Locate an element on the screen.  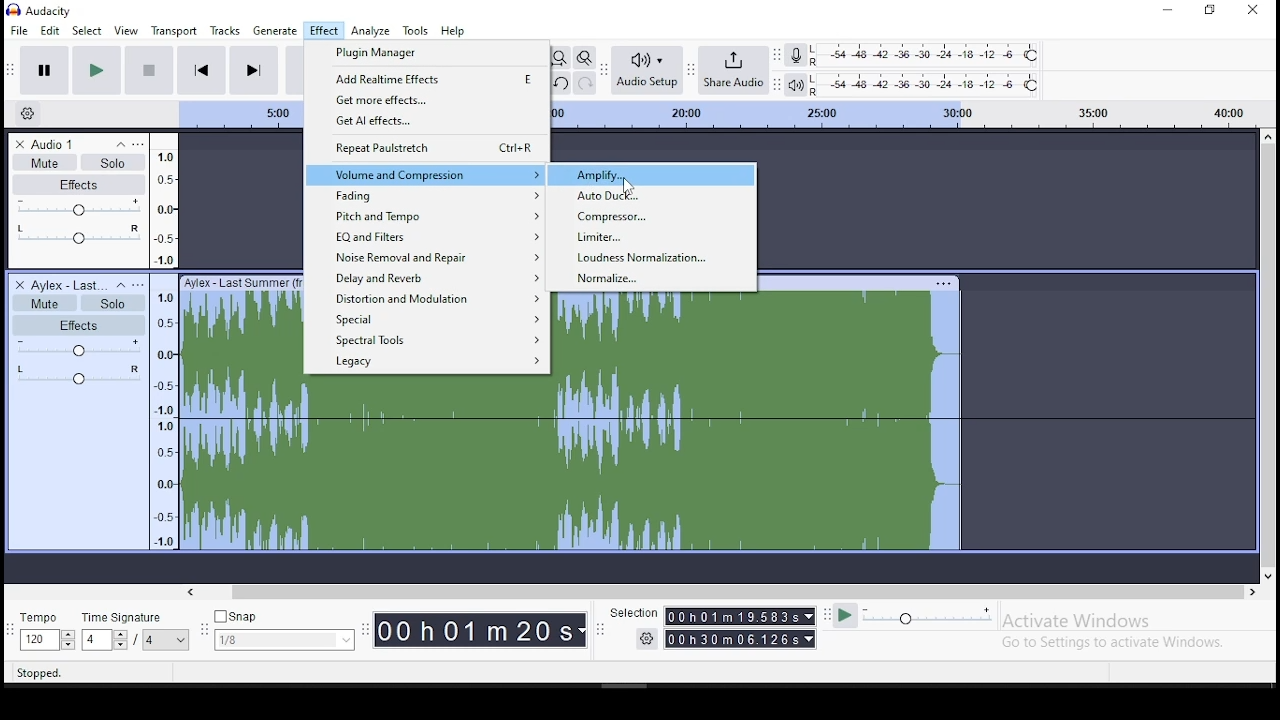
time is located at coordinates (740, 629).